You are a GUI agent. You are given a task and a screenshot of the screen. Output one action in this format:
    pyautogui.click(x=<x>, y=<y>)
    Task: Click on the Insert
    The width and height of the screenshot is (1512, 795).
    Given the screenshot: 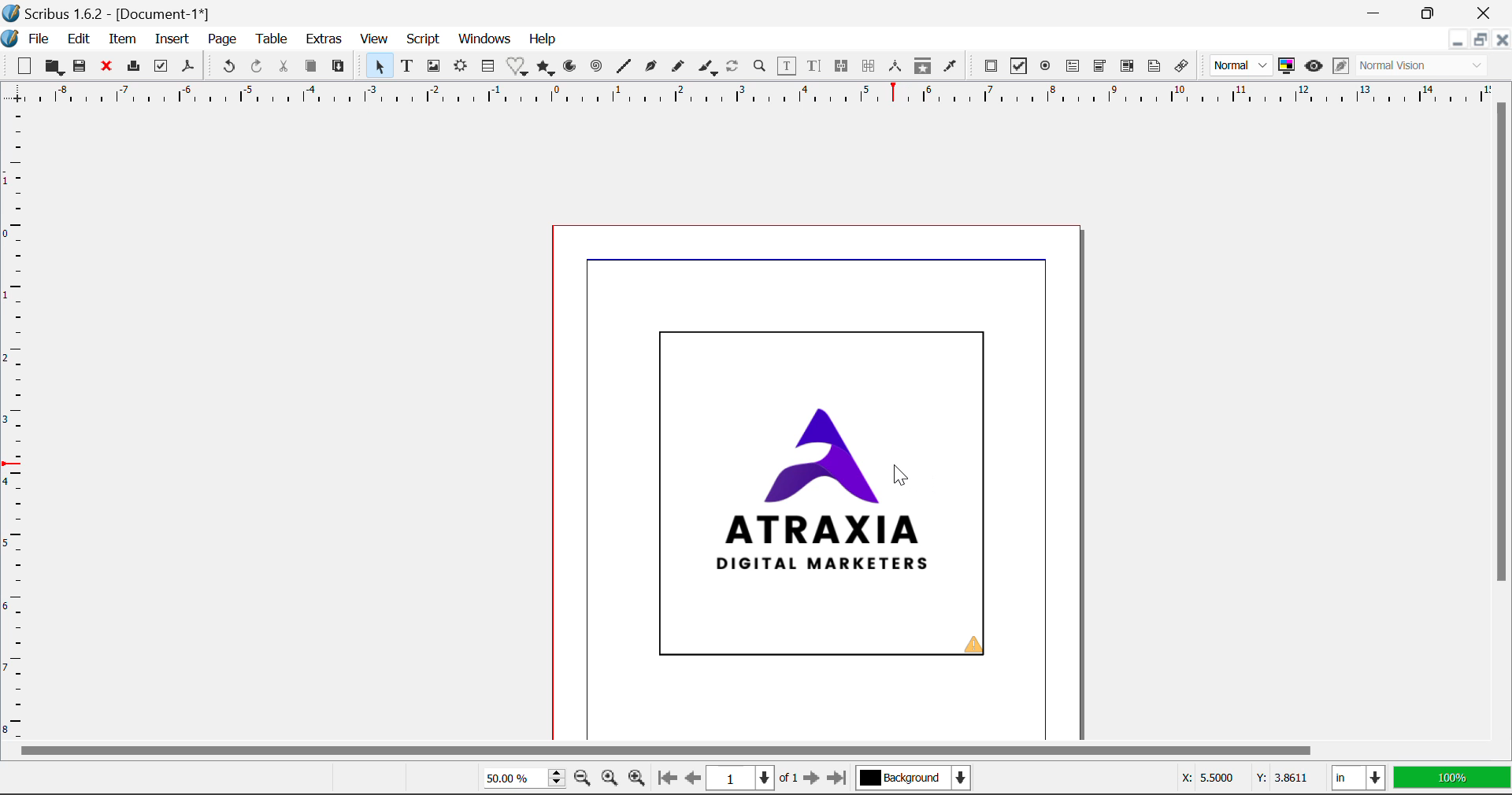 What is the action you would take?
    pyautogui.click(x=171, y=39)
    